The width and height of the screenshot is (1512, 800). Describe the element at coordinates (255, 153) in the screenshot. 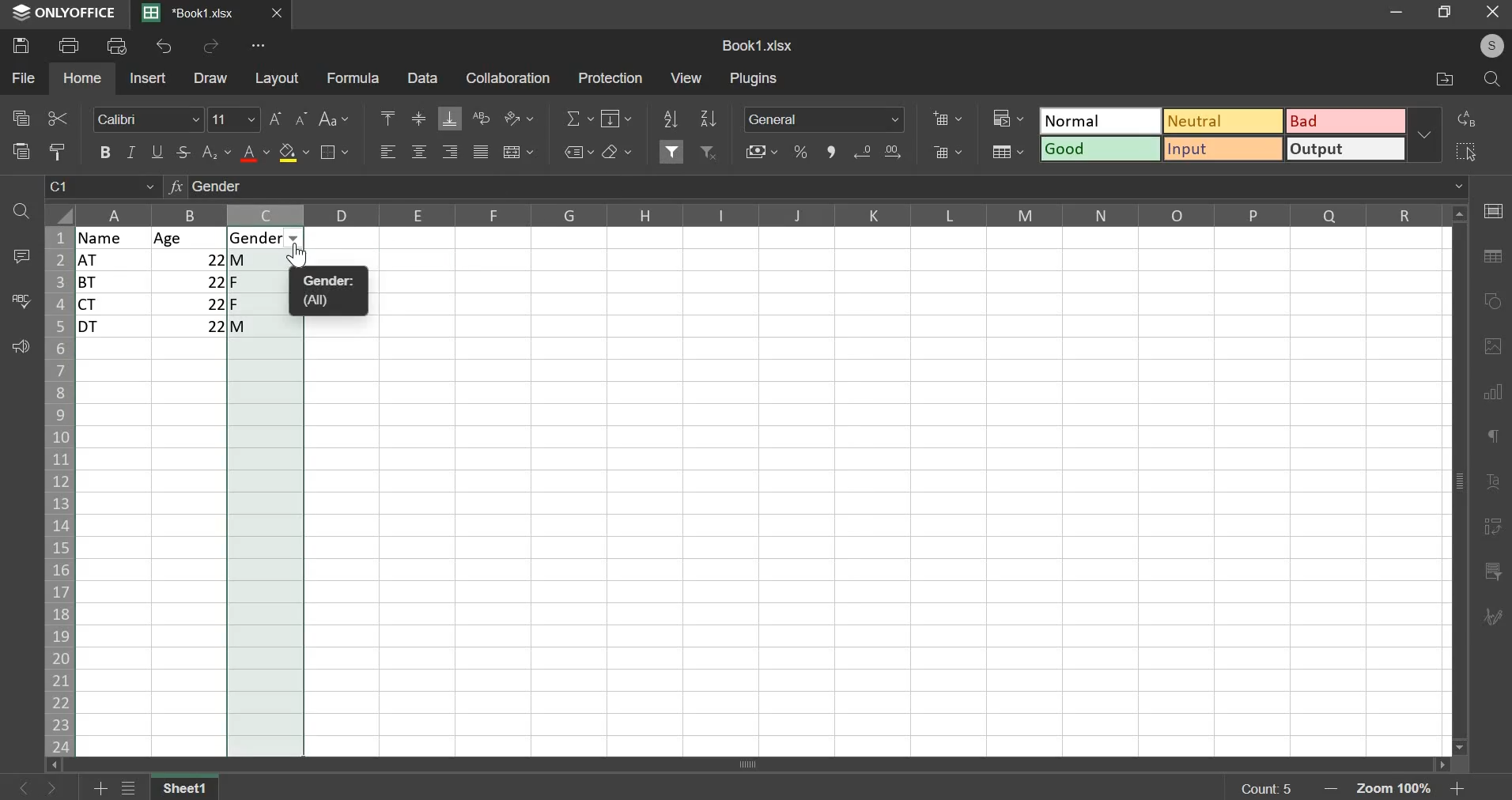

I see `font color` at that location.